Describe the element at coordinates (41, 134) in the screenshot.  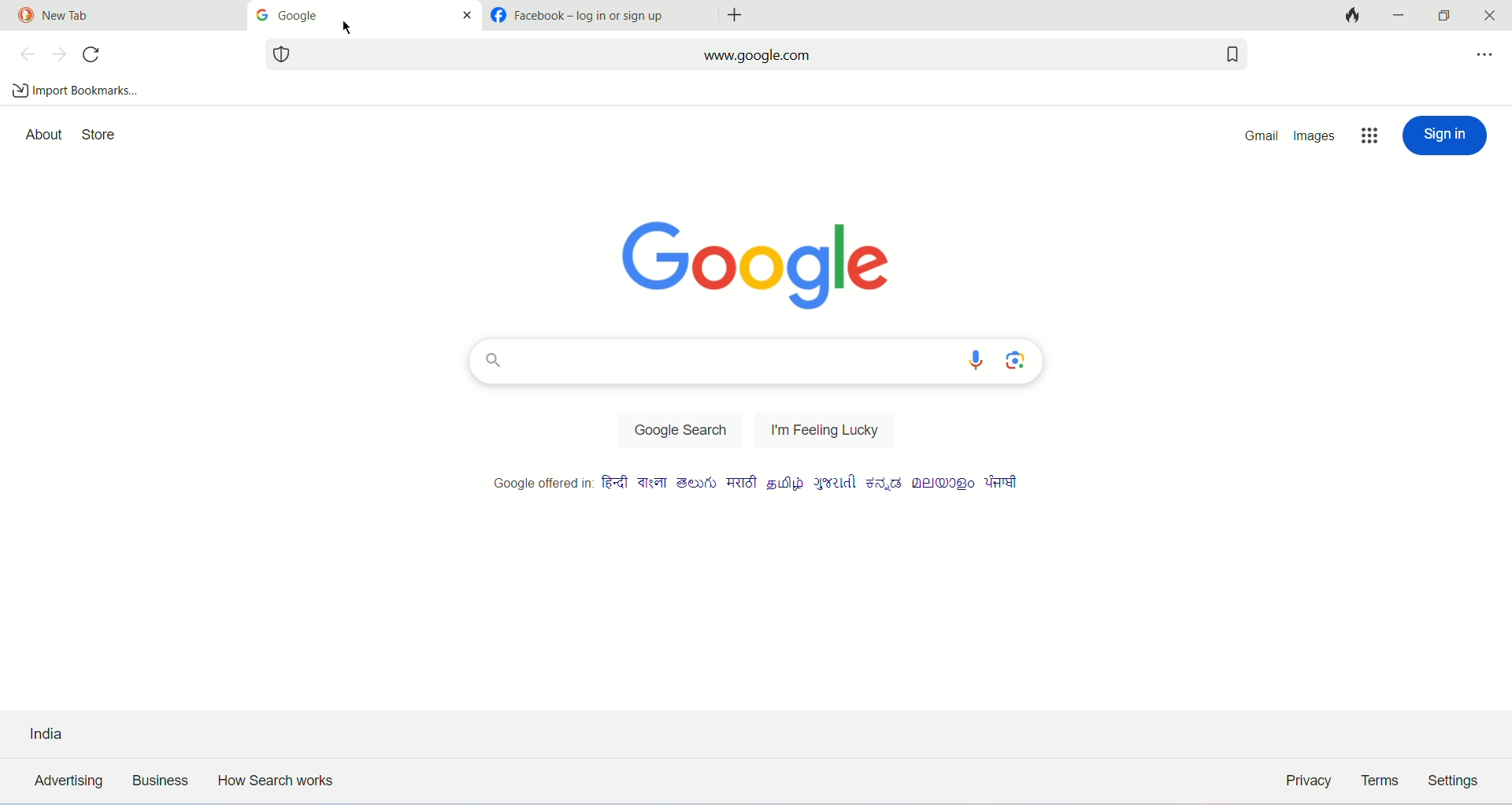
I see `about` at that location.